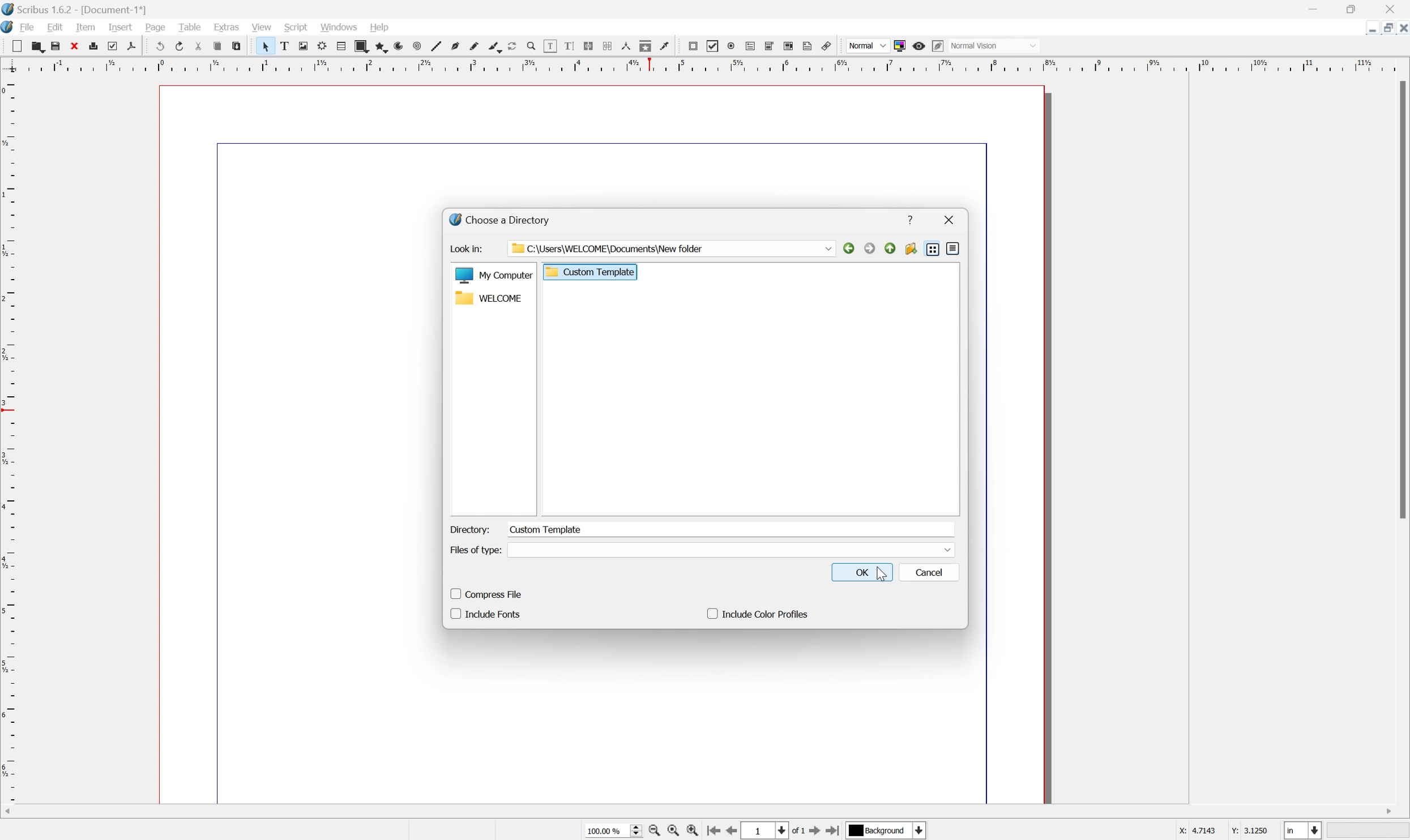  Describe the element at coordinates (110, 46) in the screenshot. I see `preflight verifier` at that location.